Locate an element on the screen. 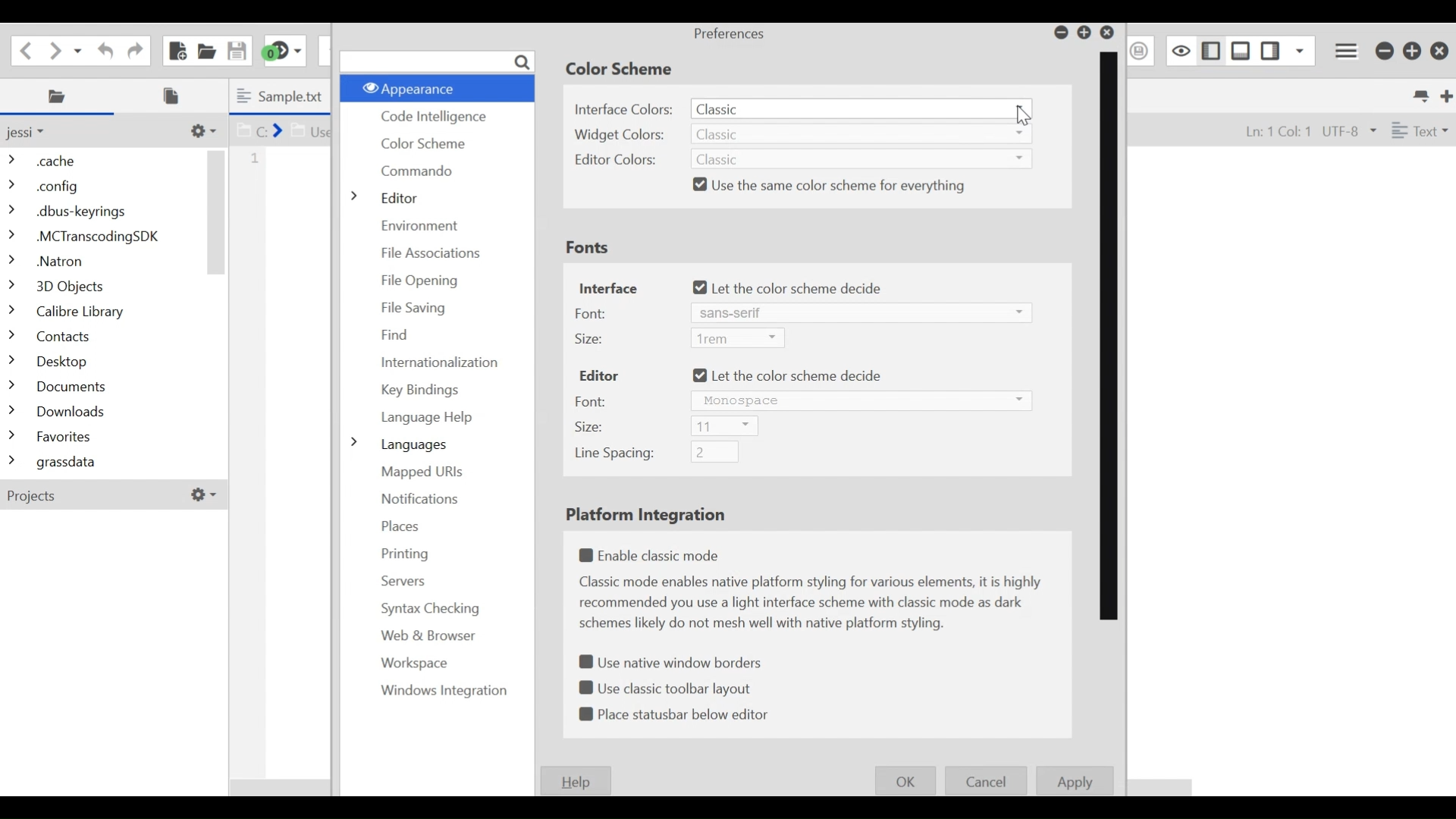 The width and height of the screenshot is (1456, 819). Minimize is located at coordinates (1059, 33).